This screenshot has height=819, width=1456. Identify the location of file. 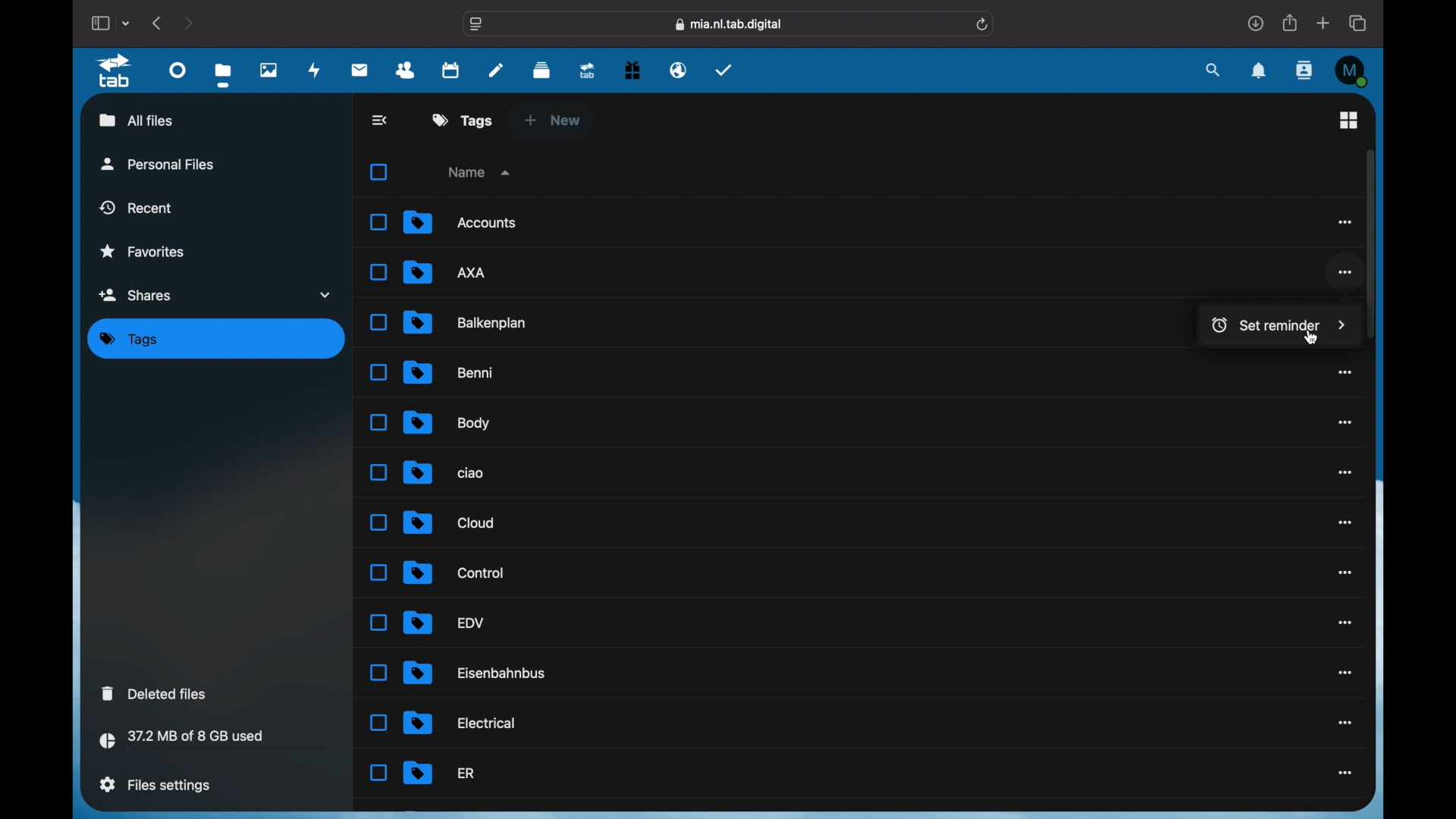
(444, 622).